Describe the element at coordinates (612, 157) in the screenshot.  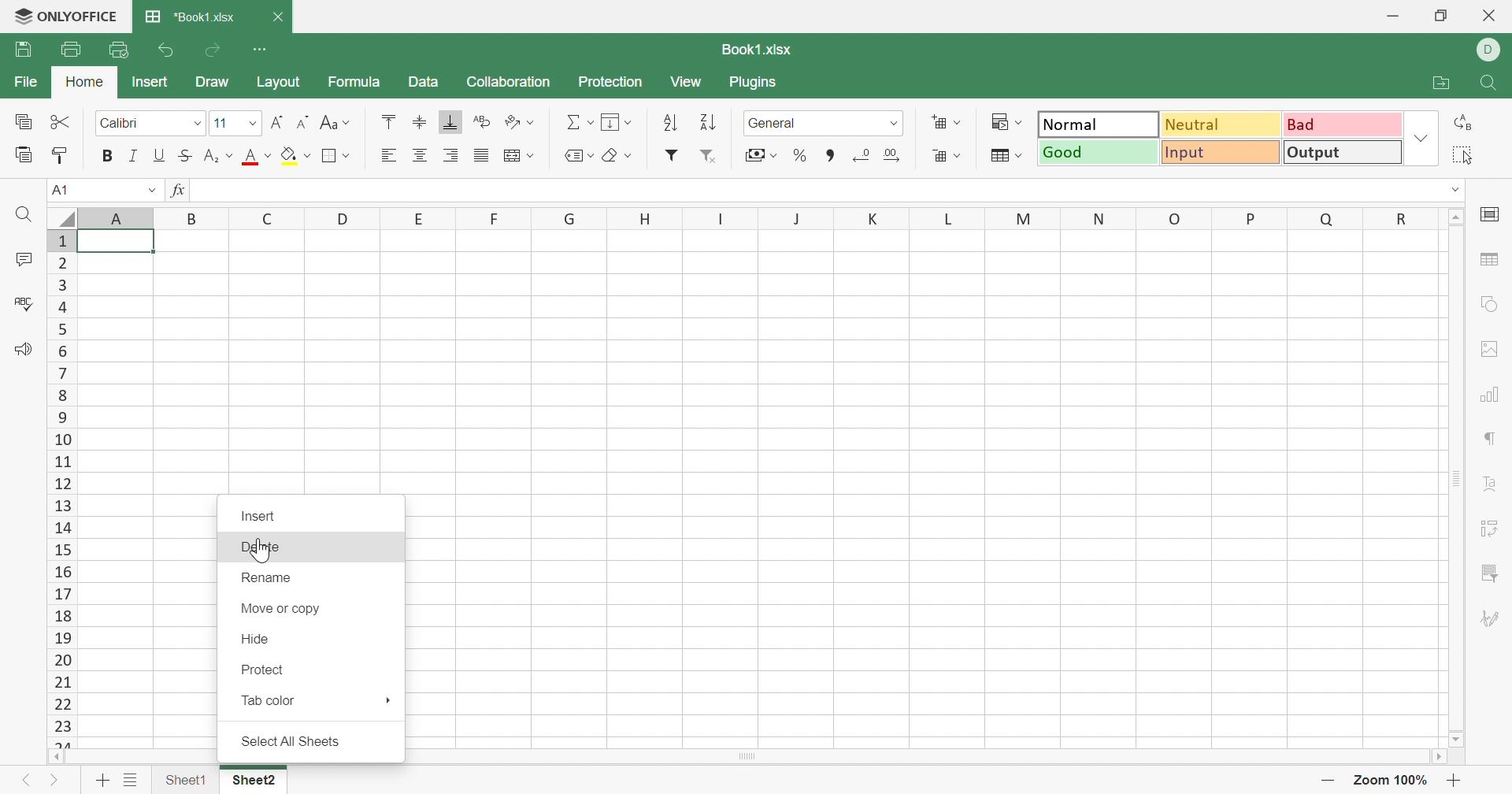
I see `Clear` at that location.